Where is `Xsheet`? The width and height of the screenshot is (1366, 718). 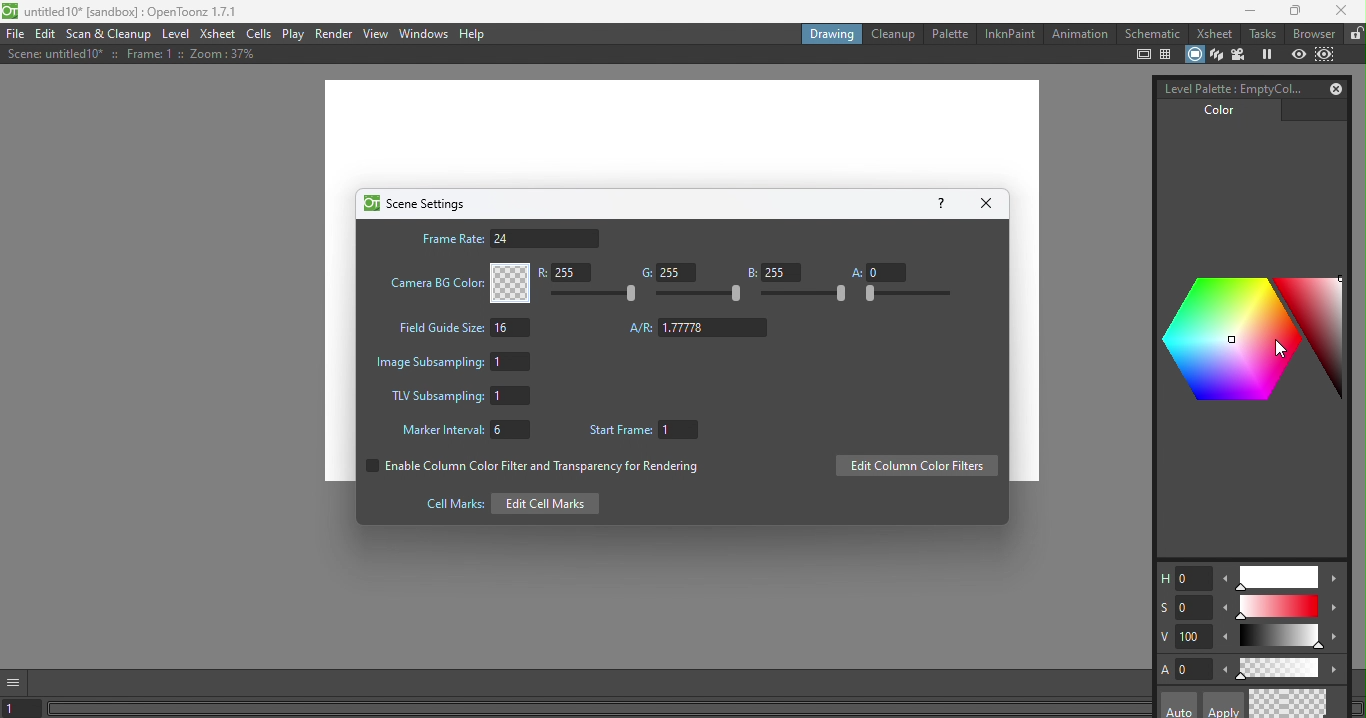 Xsheet is located at coordinates (1212, 34).